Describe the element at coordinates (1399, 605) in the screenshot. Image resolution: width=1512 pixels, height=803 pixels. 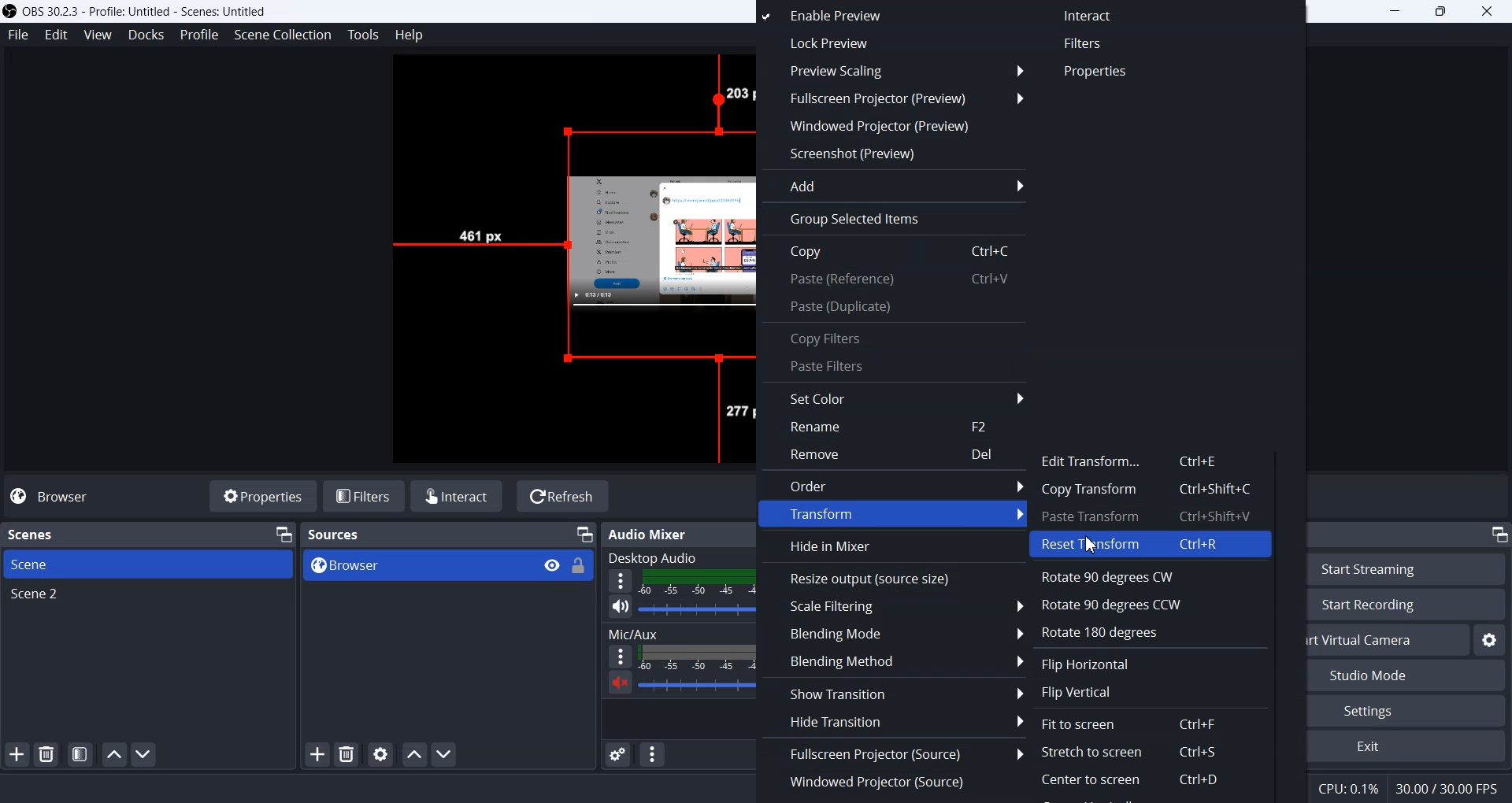
I see `Start Recording` at that location.